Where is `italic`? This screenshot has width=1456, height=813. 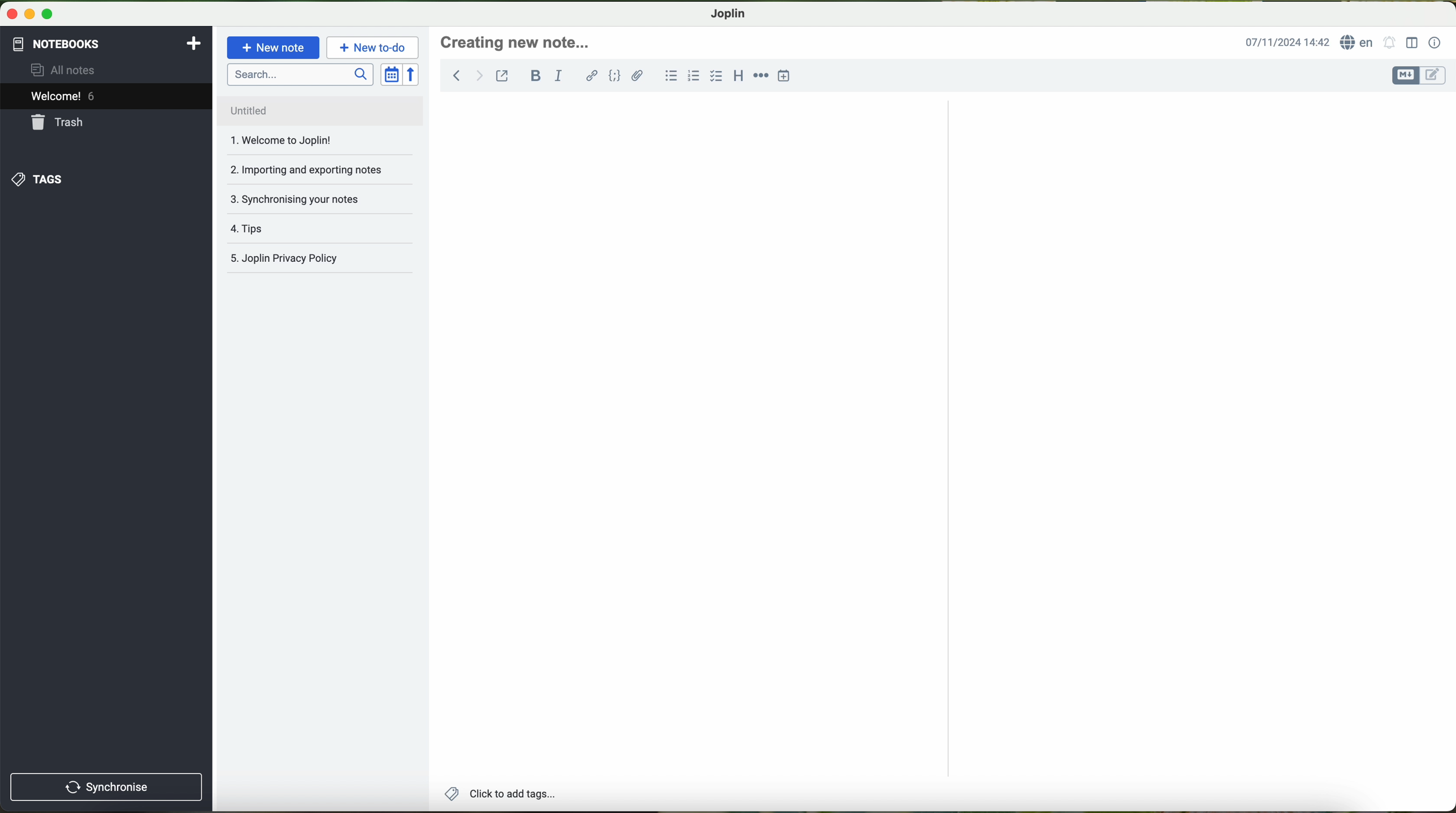
italic is located at coordinates (561, 76).